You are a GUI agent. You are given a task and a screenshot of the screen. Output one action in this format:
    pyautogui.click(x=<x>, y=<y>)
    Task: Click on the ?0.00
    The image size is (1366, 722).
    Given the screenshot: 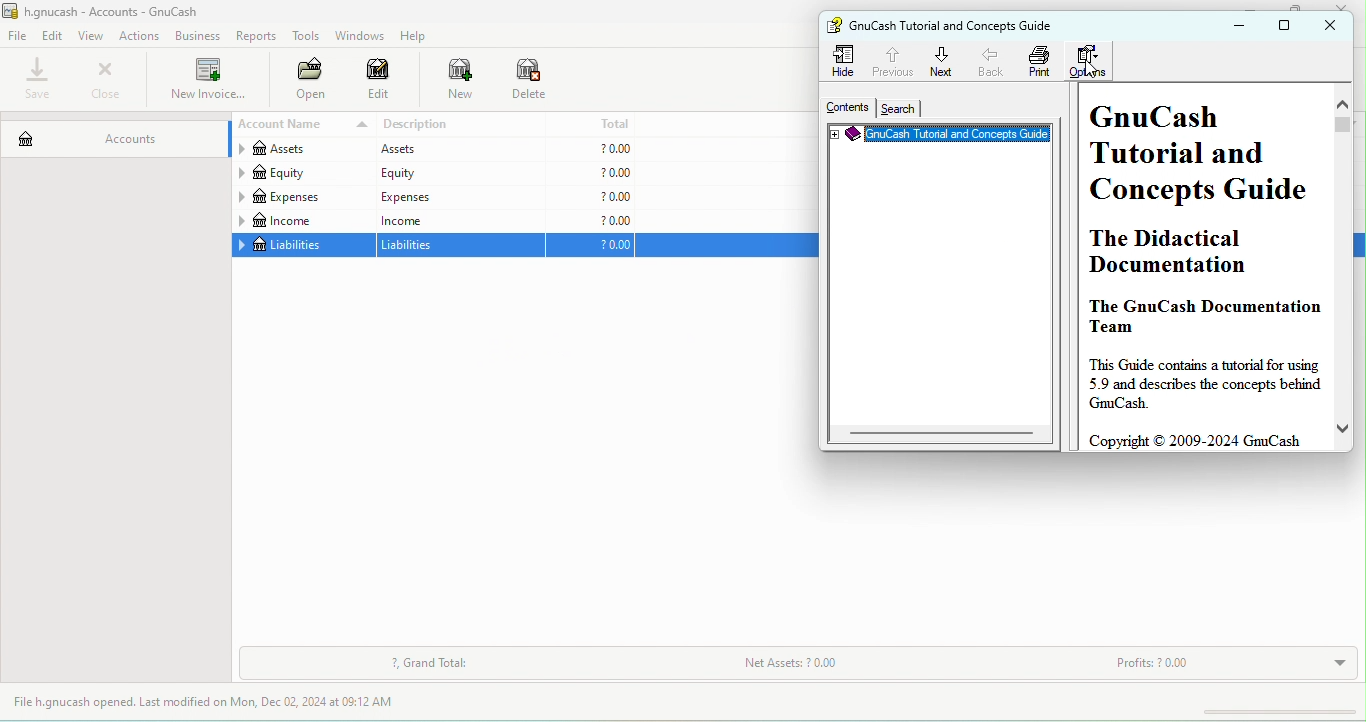 What is the action you would take?
    pyautogui.click(x=589, y=197)
    